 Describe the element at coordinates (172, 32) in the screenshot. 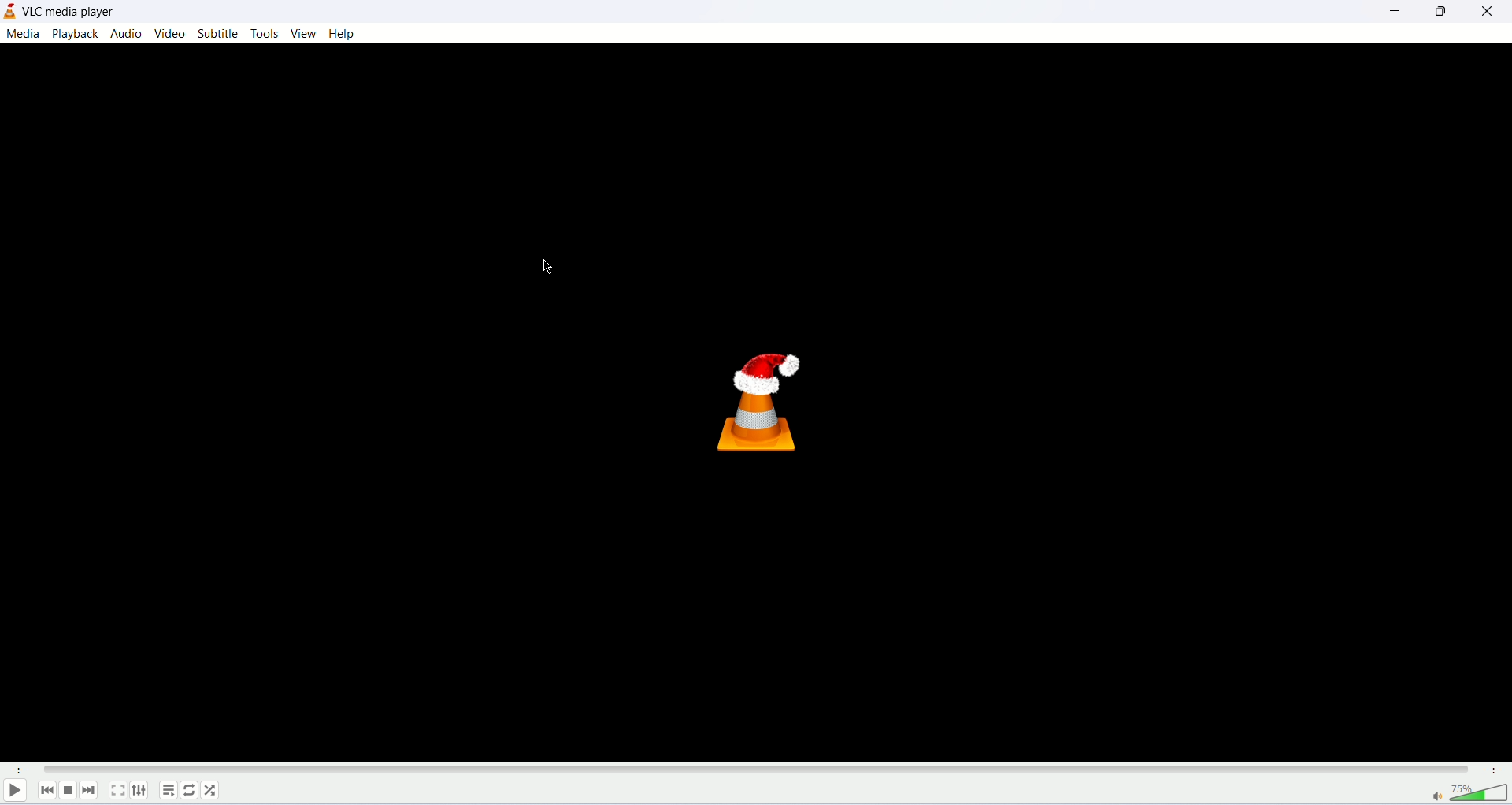

I see `video` at that location.